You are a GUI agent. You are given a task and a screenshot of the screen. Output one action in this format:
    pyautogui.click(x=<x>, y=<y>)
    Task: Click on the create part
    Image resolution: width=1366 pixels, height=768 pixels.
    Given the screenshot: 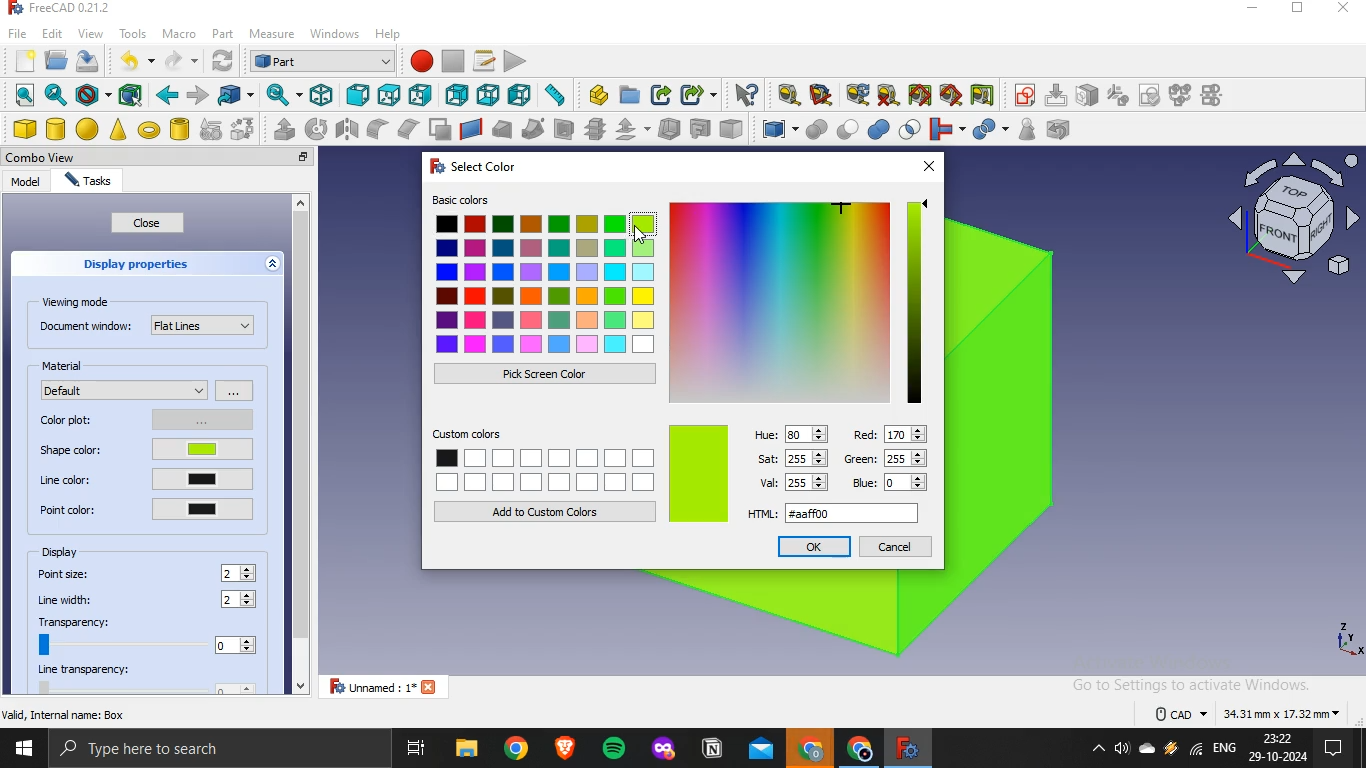 What is the action you would take?
    pyautogui.click(x=598, y=95)
    